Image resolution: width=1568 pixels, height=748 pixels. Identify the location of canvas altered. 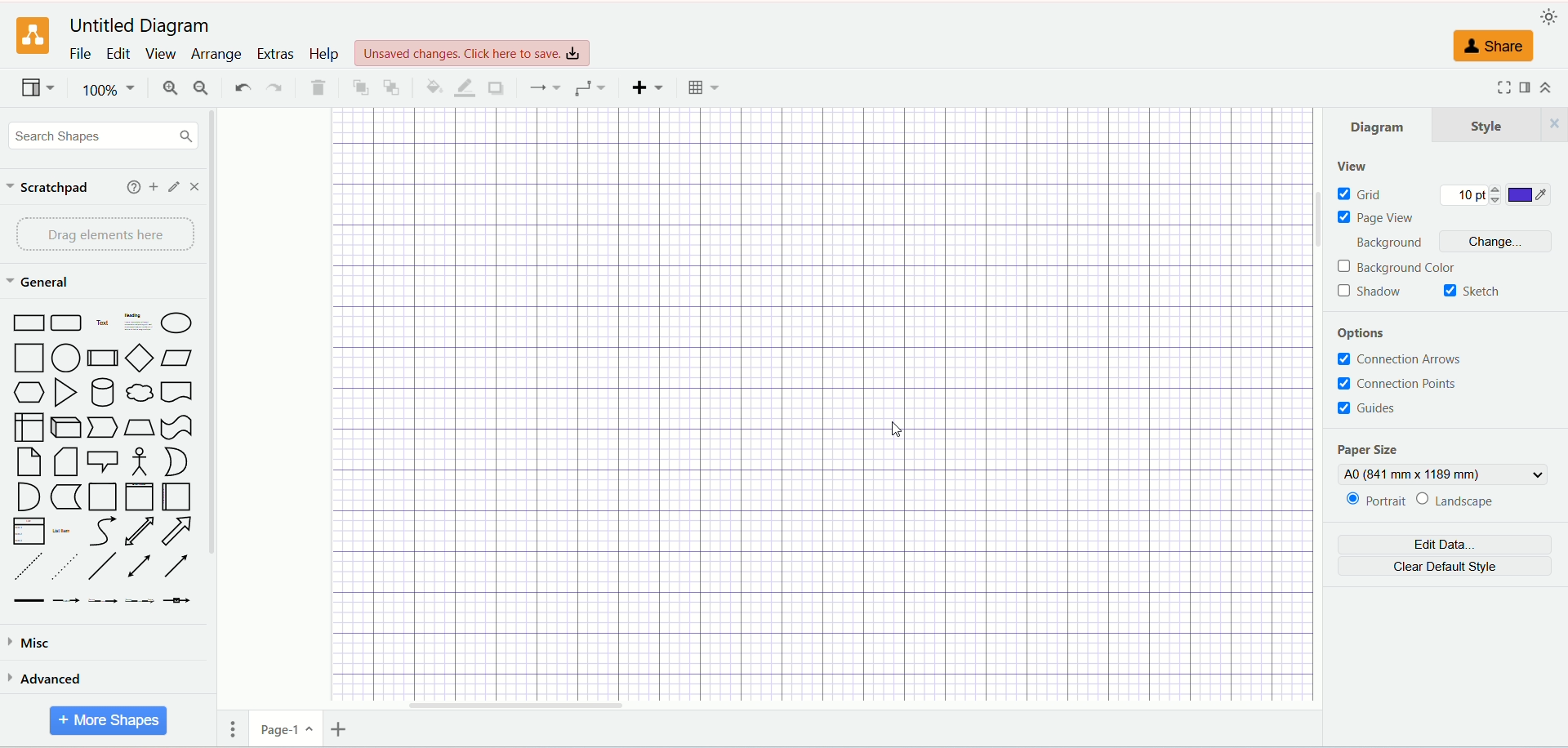
(817, 404).